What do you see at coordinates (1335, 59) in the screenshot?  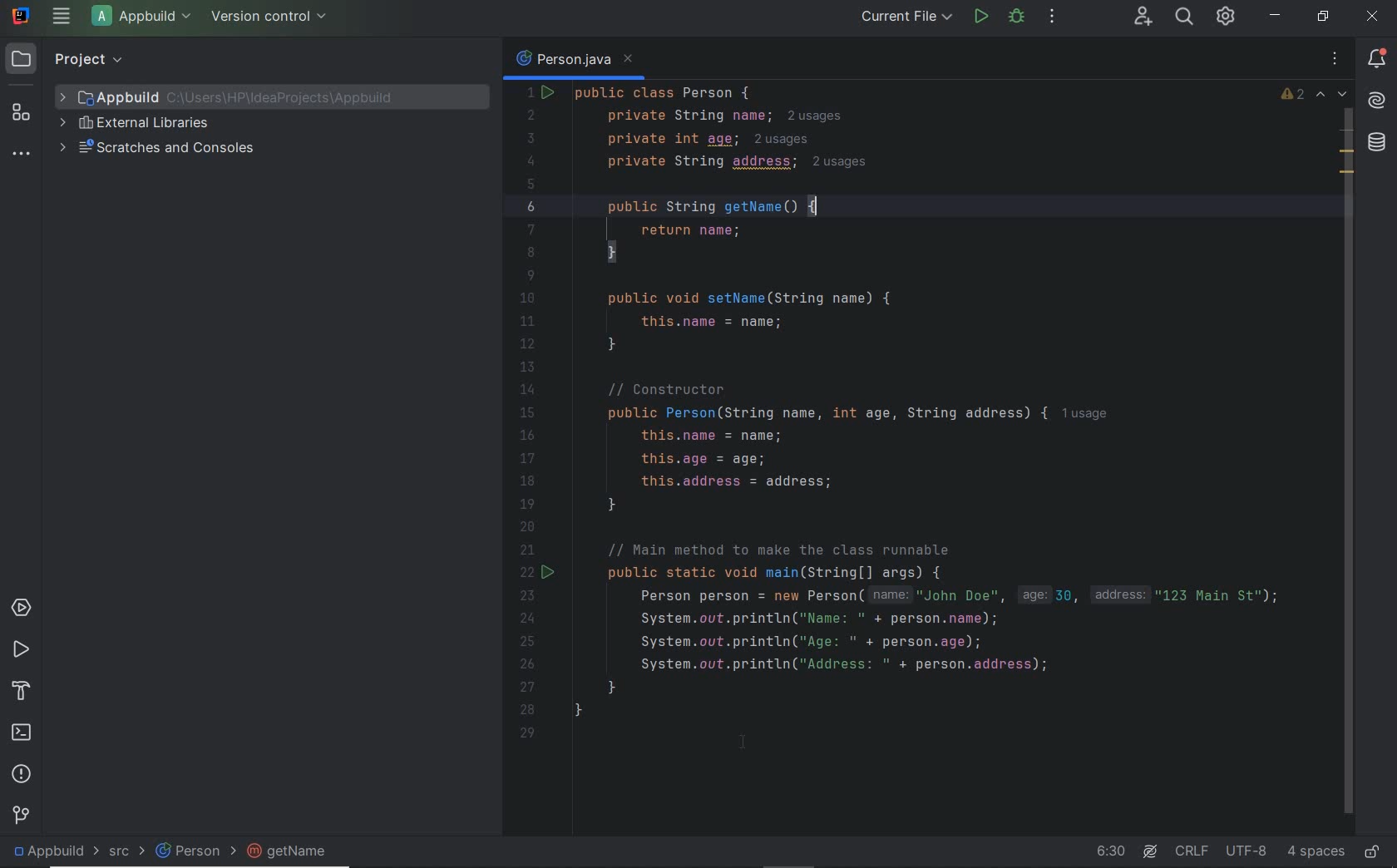 I see `recent files, tab actions` at bounding box center [1335, 59].